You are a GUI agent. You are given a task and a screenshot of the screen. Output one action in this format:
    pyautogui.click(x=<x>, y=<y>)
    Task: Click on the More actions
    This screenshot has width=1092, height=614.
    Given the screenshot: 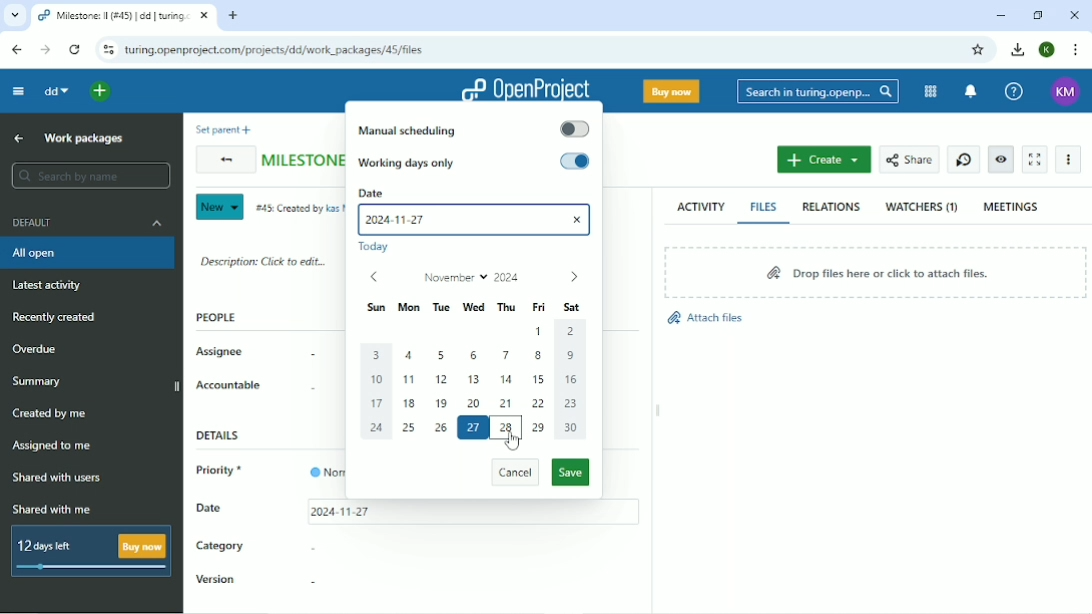 What is the action you would take?
    pyautogui.click(x=1069, y=159)
    